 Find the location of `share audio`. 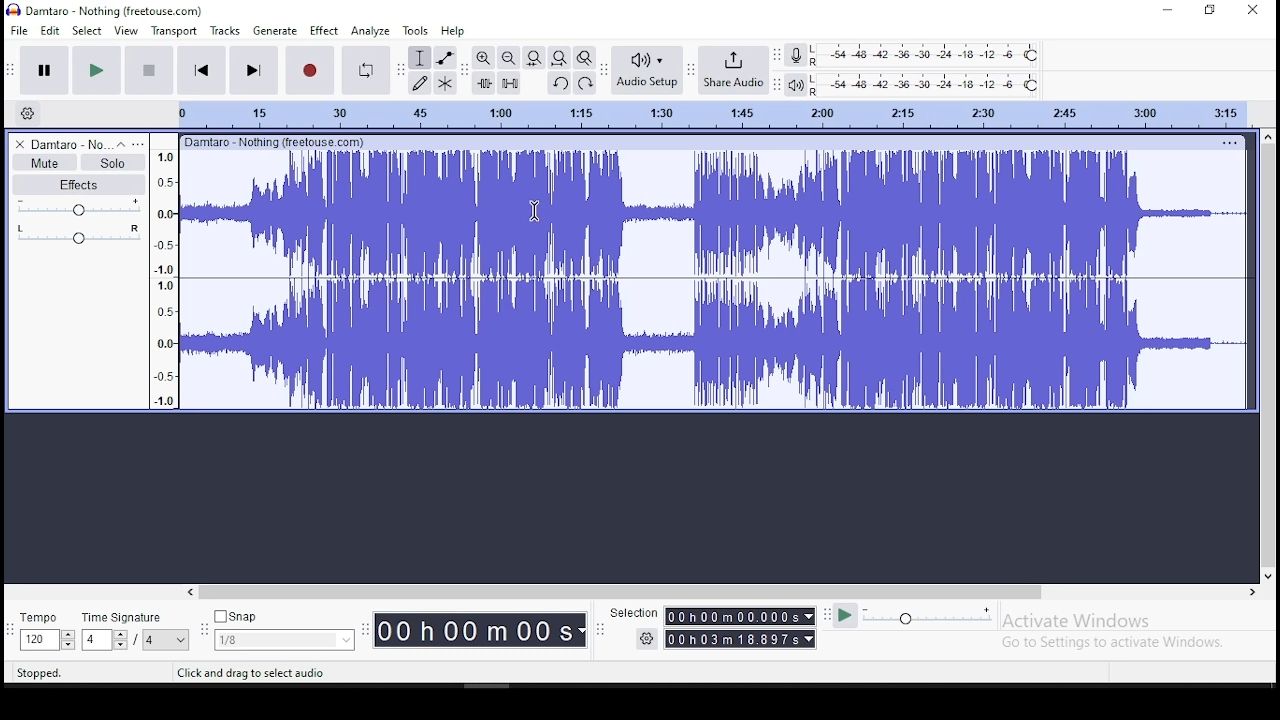

share audio is located at coordinates (734, 68).